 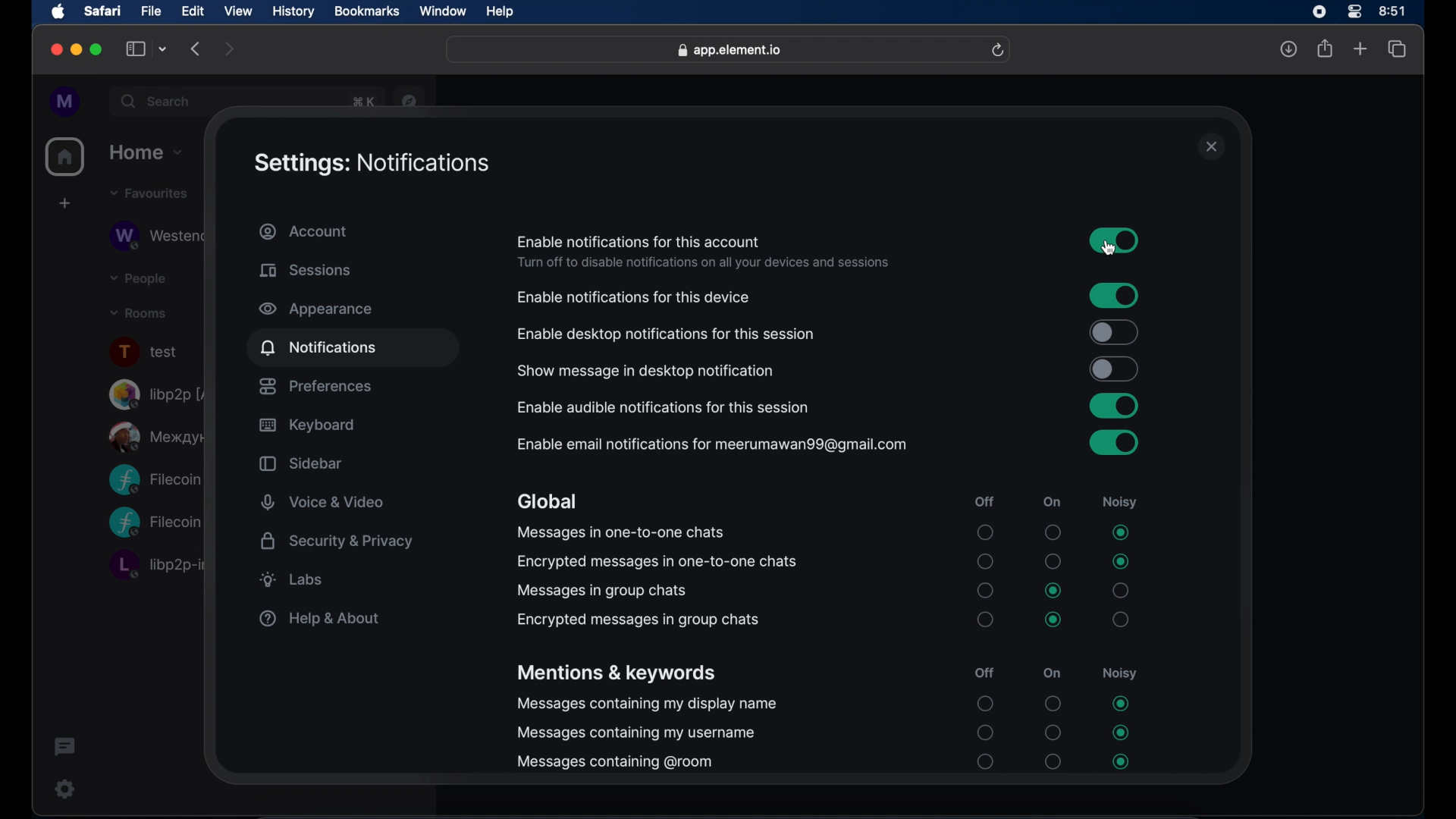 I want to click on web address- app.element.io, so click(x=729, y=50).